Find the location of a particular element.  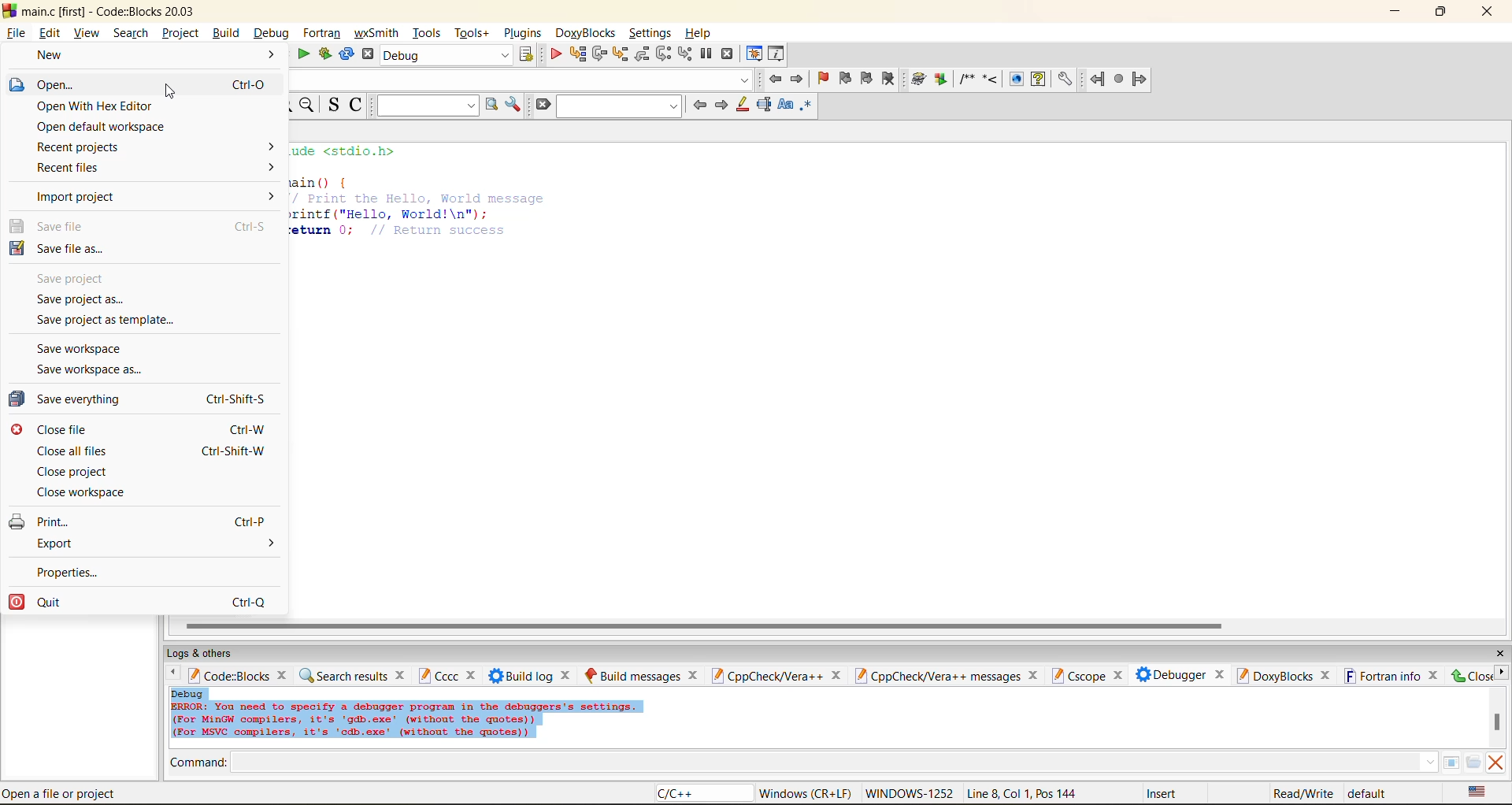

debugging windows is located at coordinates (754, 55).